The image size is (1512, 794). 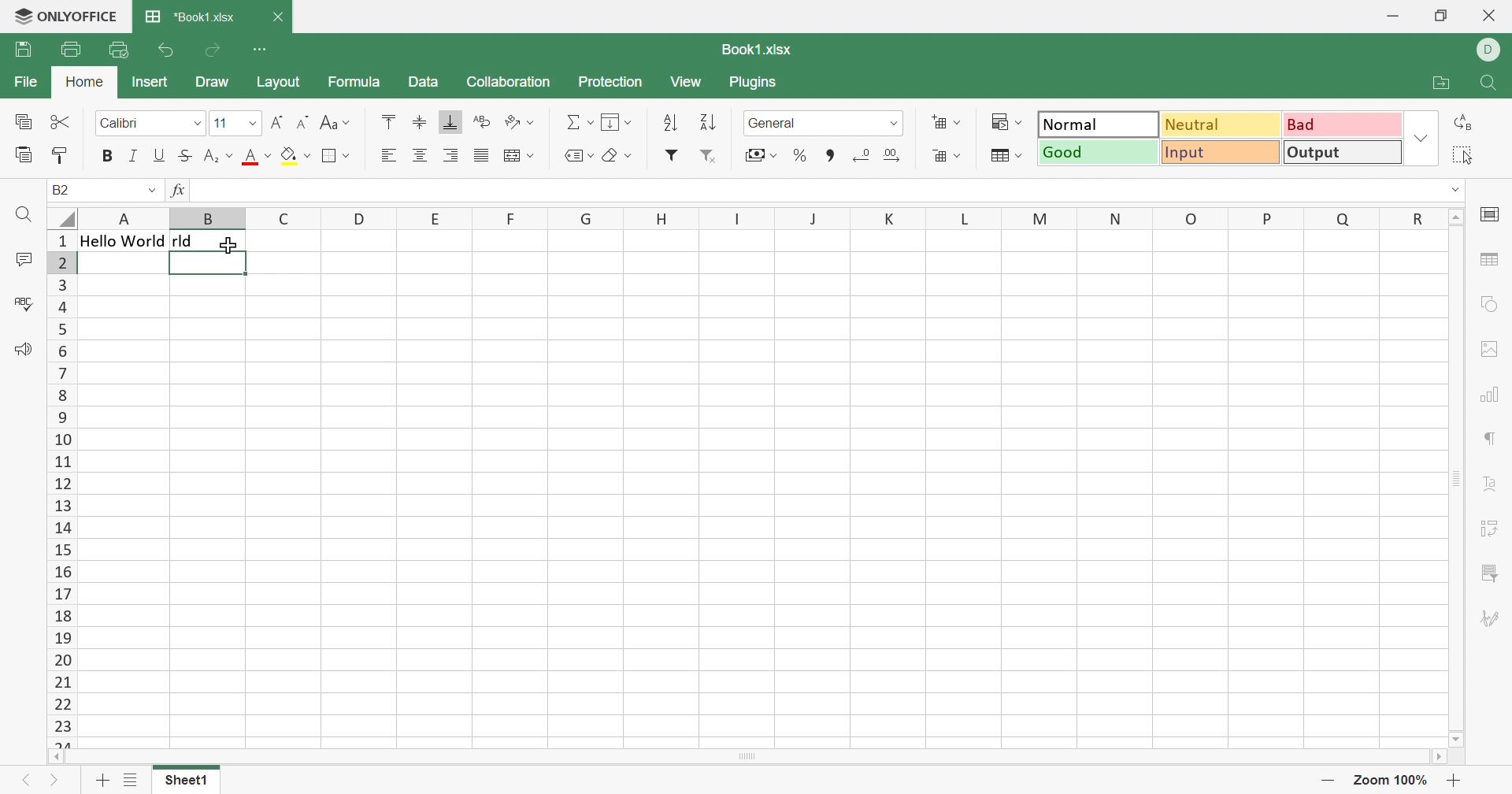 I want to click on Text Art settings, so click(x=1487, y=488).